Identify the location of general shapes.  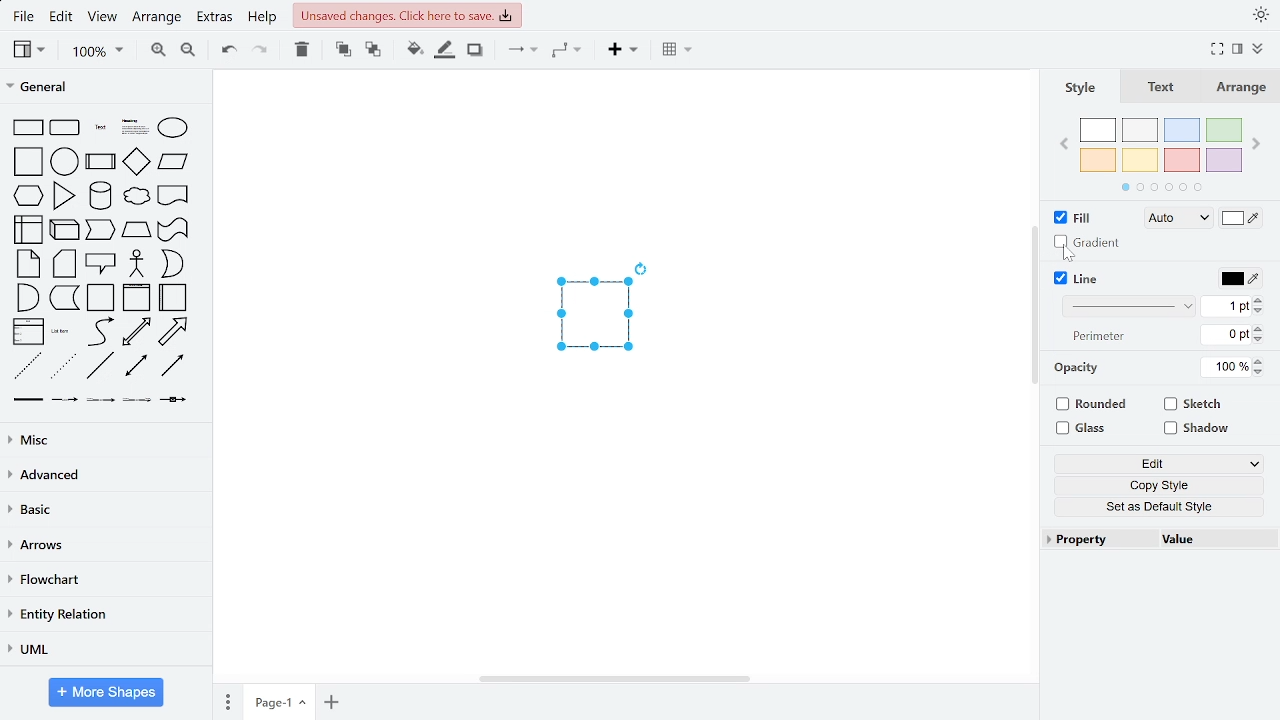
(172, 296).